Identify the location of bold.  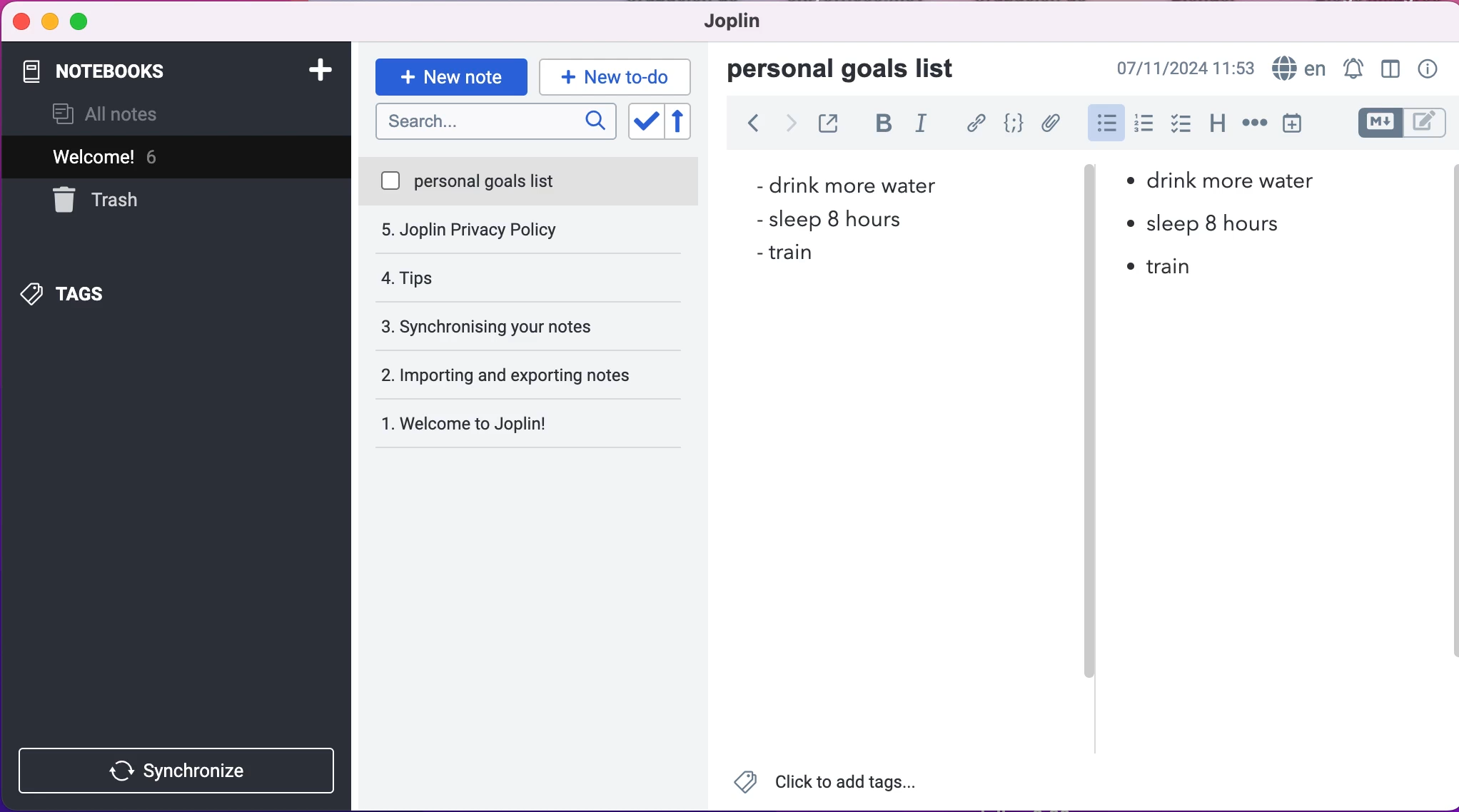
(880, 126).